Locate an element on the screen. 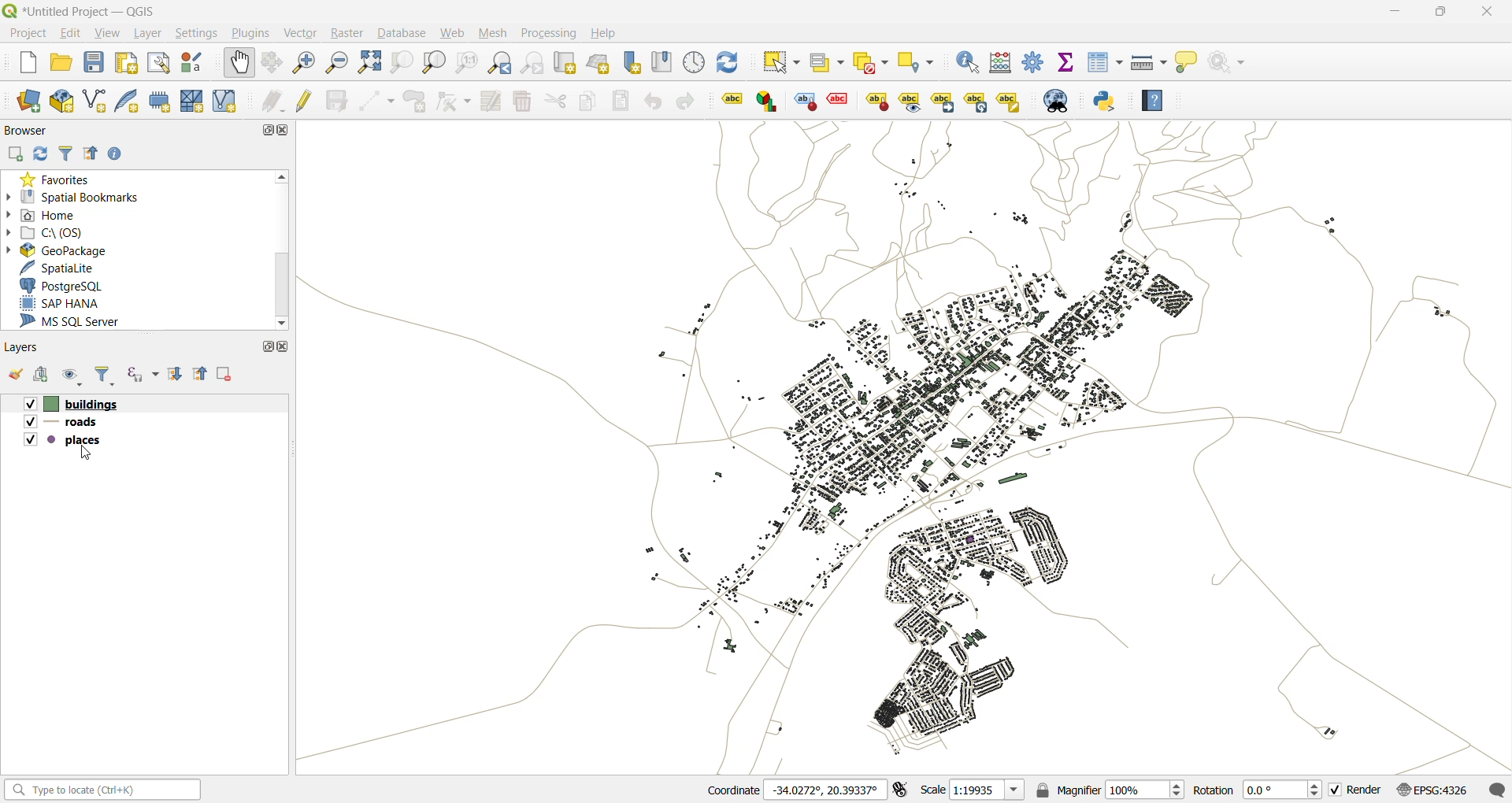  geopackage is located at coordinates (67, 249).